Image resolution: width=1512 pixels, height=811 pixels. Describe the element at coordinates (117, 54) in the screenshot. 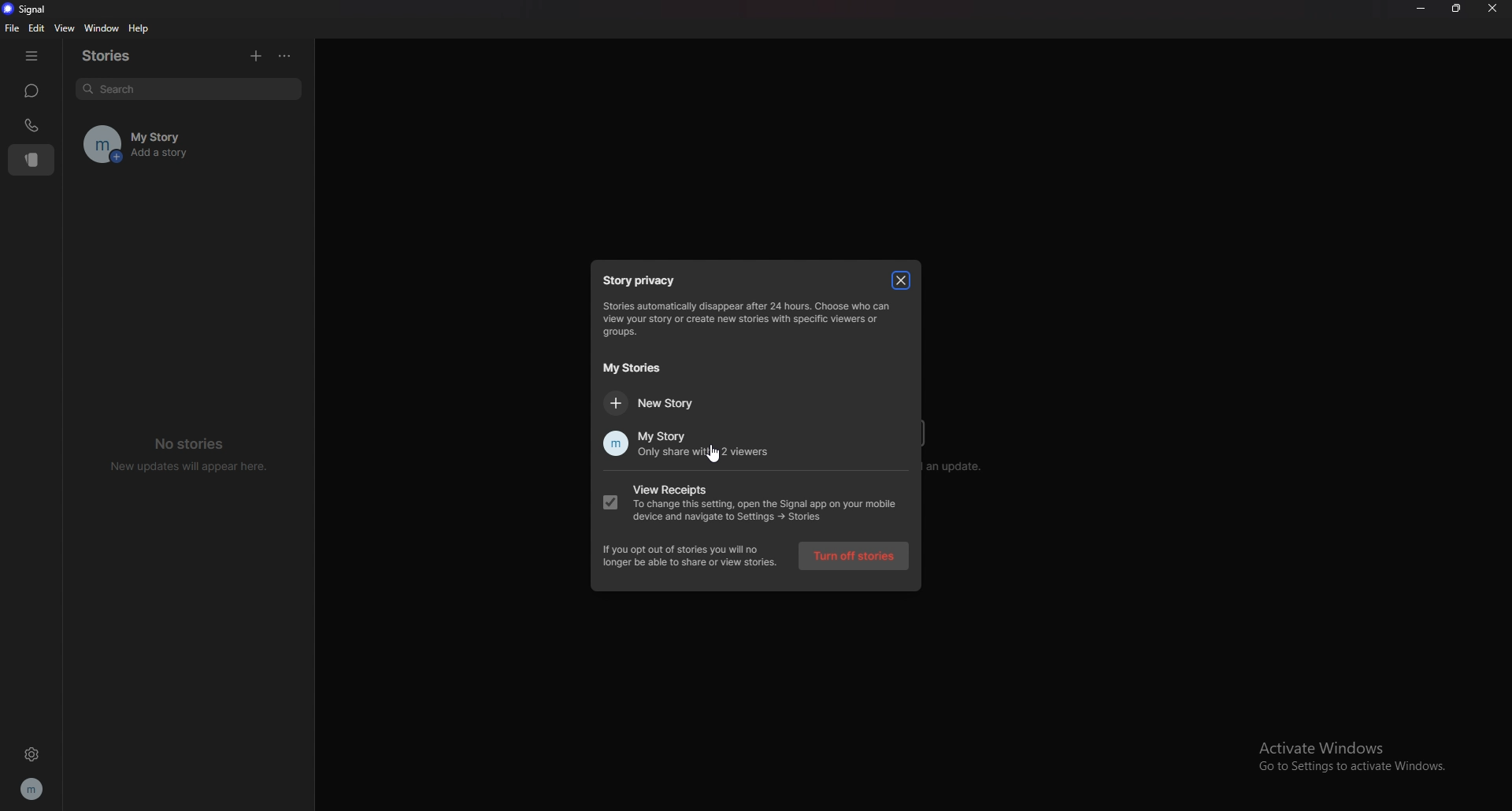

I see `stories` at that location.